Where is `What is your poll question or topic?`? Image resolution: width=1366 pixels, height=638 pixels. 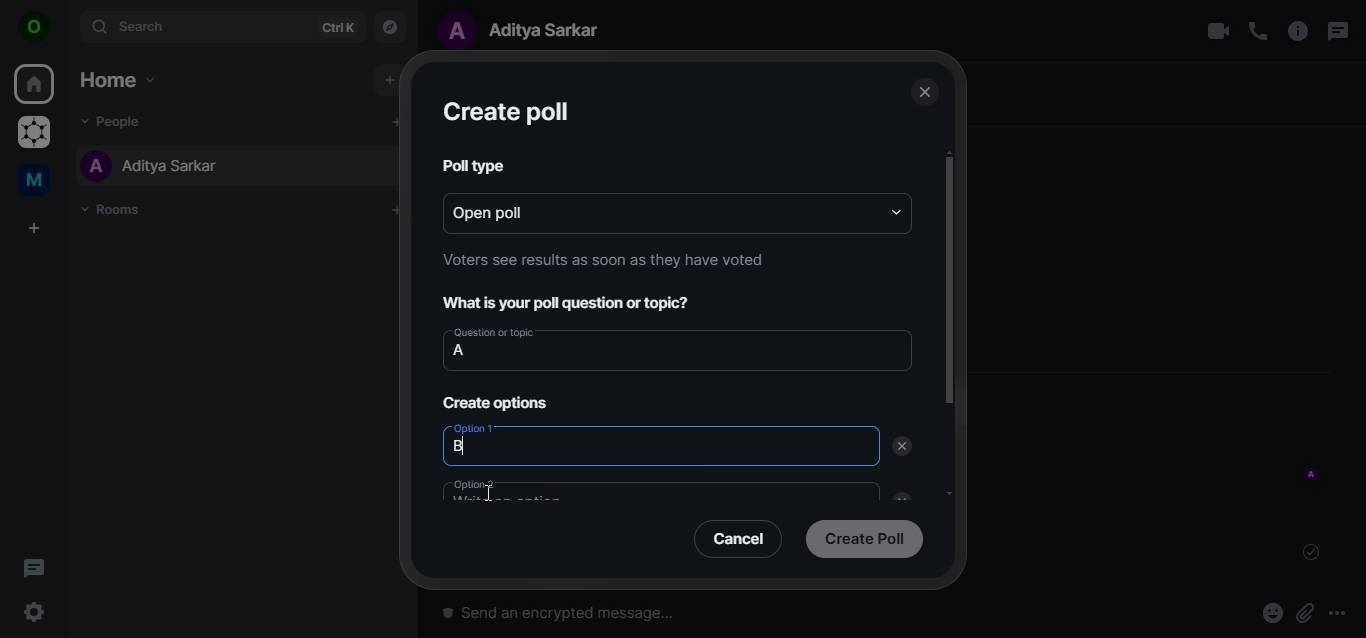
What is your poll question or topic? is located at coordinates (573, 304).